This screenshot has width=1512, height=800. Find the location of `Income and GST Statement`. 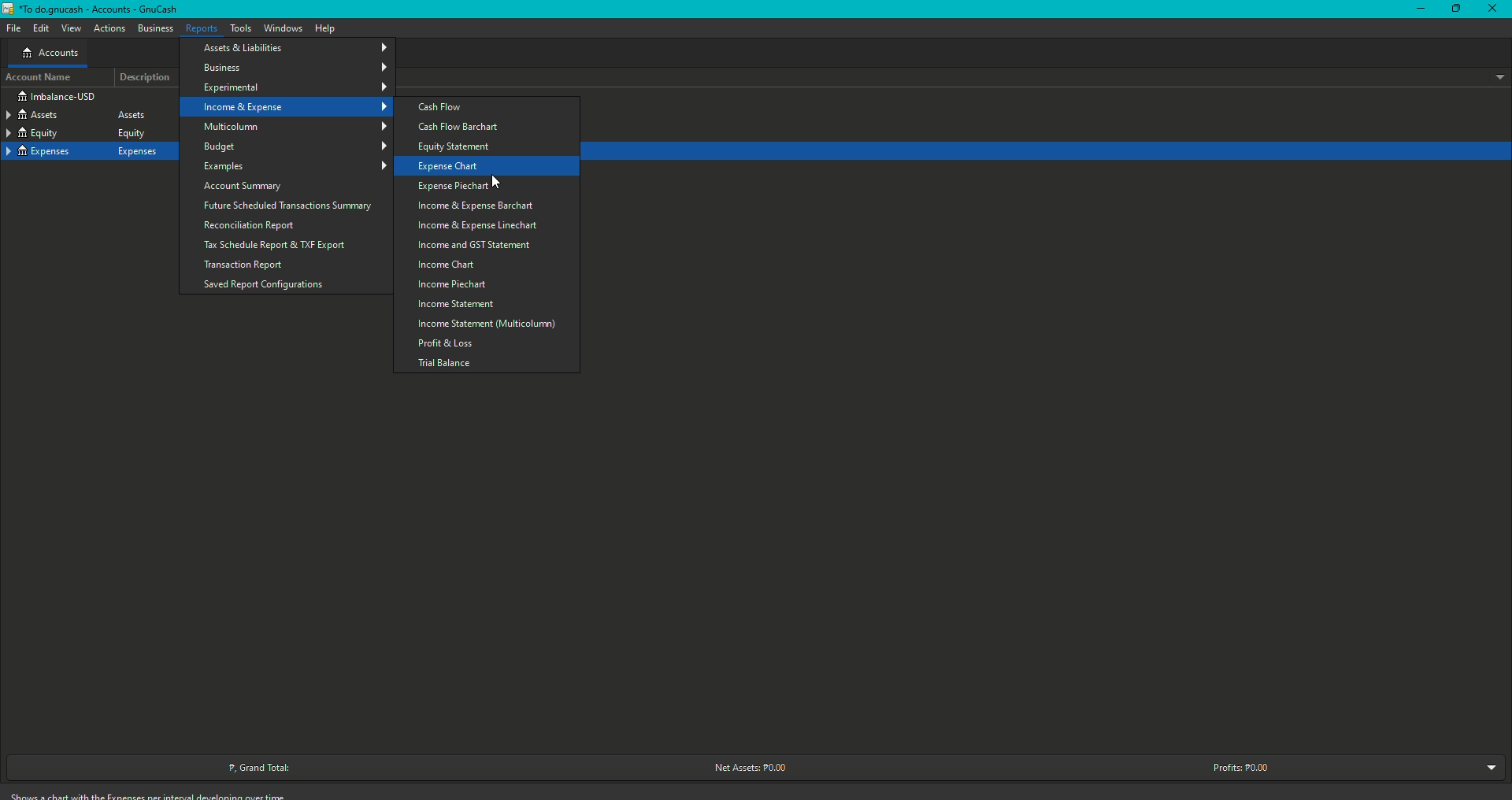

Income and GST Statement is located at coordinates (474, 245).